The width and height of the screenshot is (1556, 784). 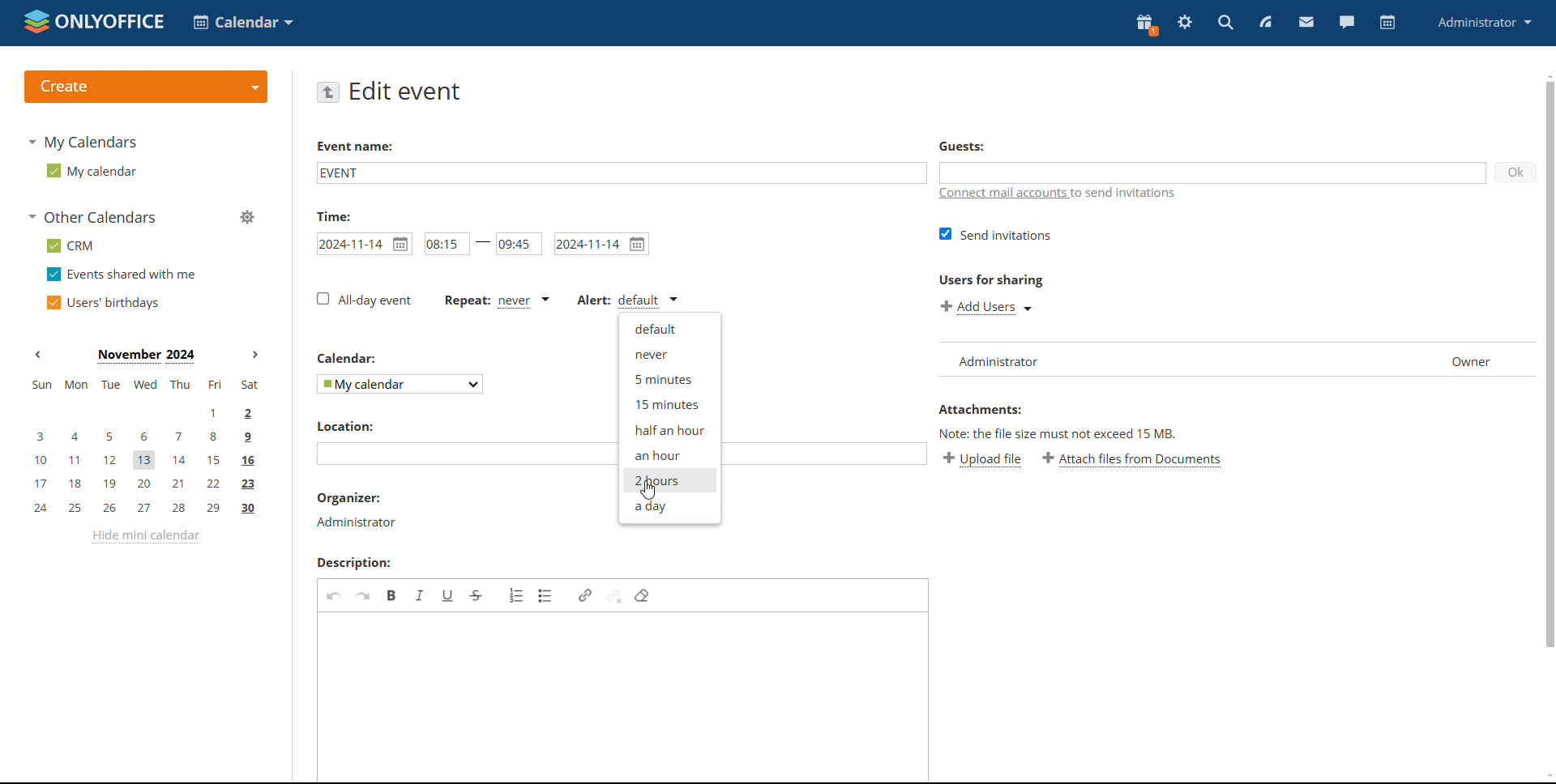 What do you see at coordinates (986, 308) in the screenshot?
I see `add users` at bounding box center [986, 308].